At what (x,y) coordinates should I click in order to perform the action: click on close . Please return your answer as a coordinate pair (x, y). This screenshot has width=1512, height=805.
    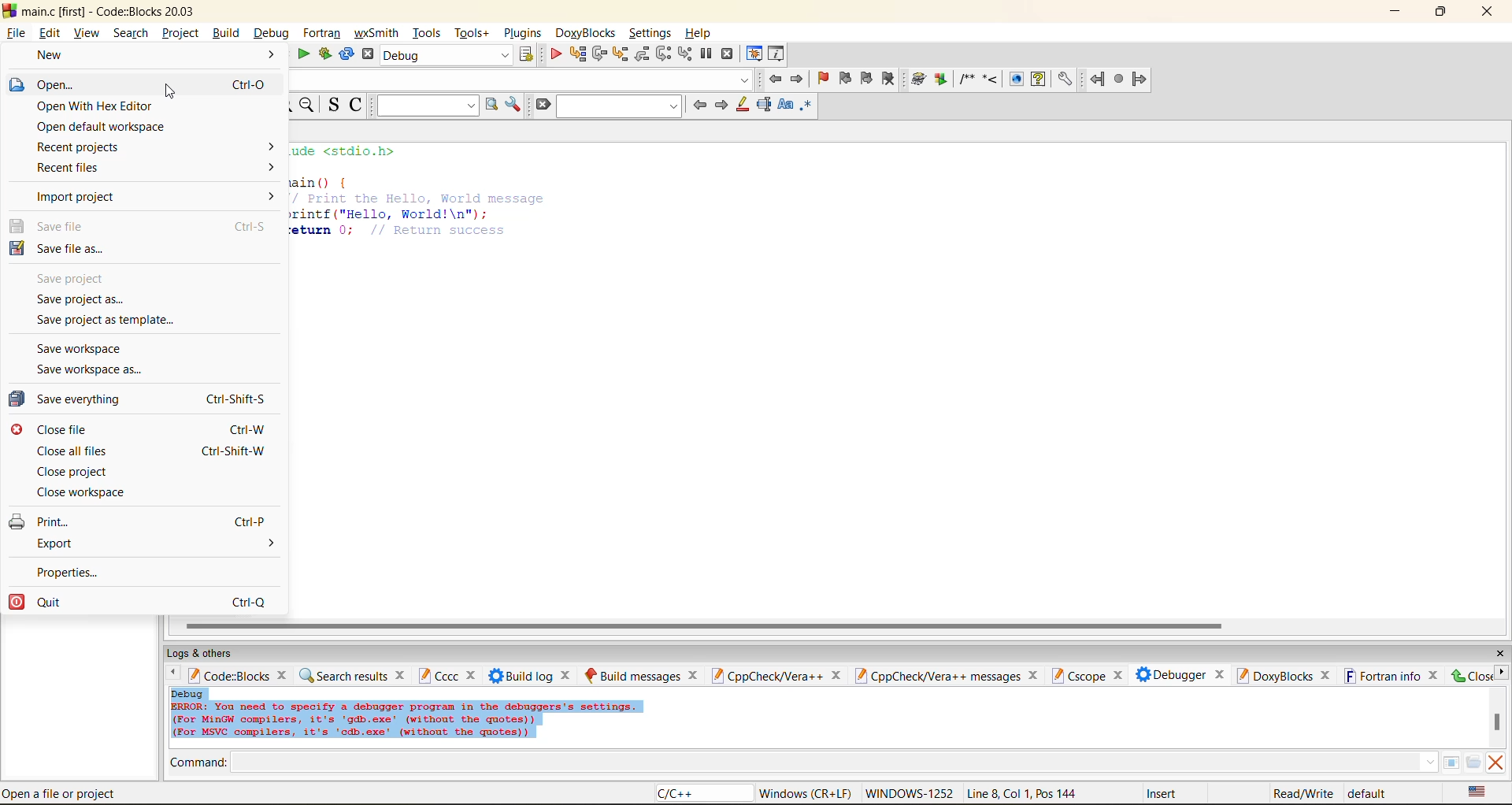
    Looking at the image, I should click on (1489, 12).